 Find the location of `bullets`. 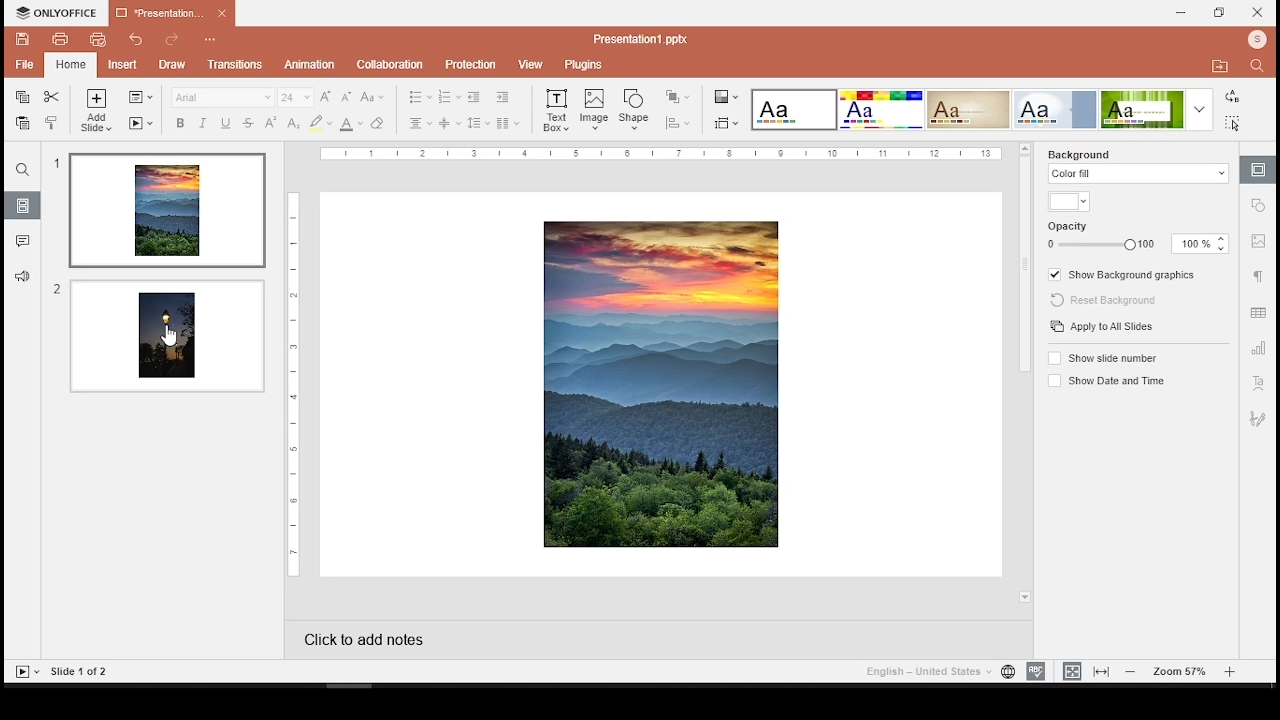

bullets is located at coordinates (421, 98).